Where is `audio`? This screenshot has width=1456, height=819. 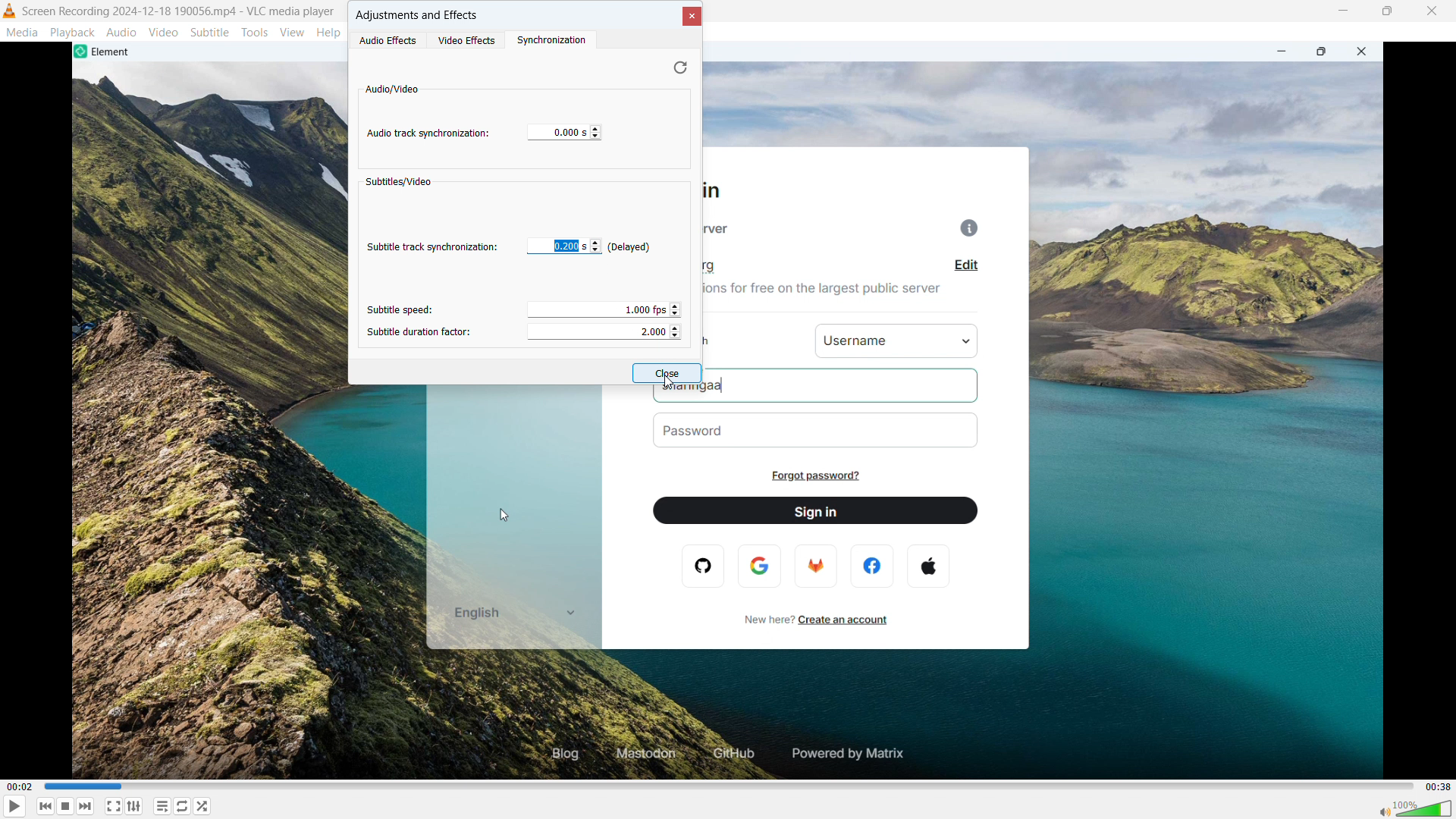 audio is located at coordinates (121, 33).